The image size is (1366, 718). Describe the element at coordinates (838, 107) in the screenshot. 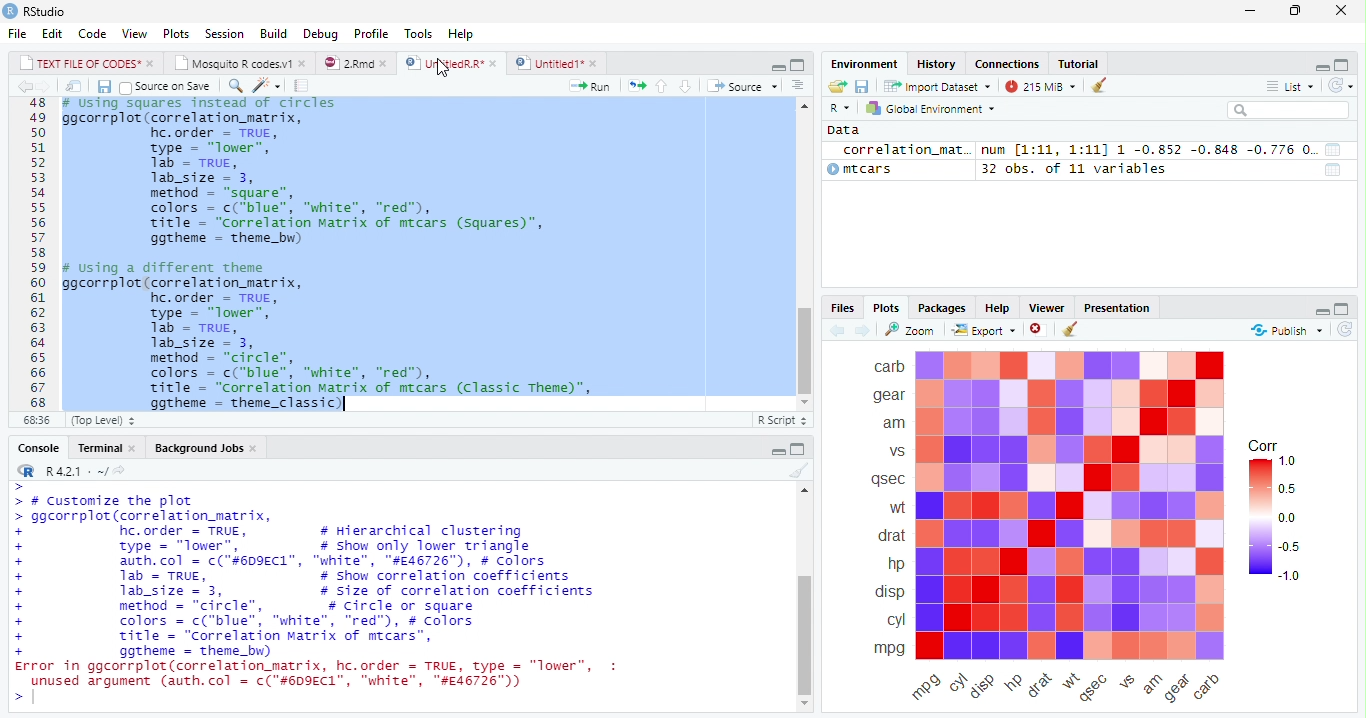

I see `R` at that location.